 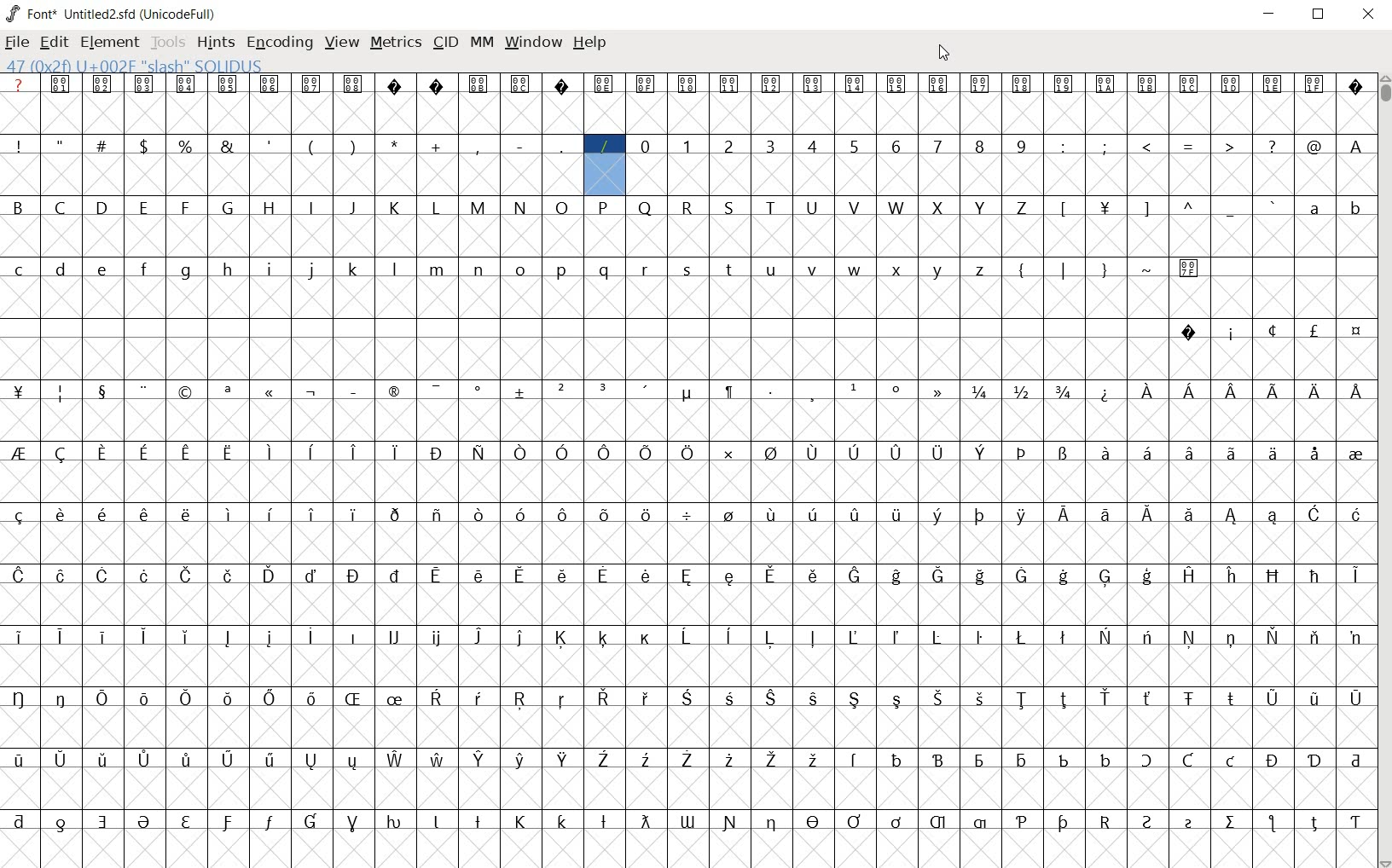 I want to click on glyph, so click(x=435, y=454).